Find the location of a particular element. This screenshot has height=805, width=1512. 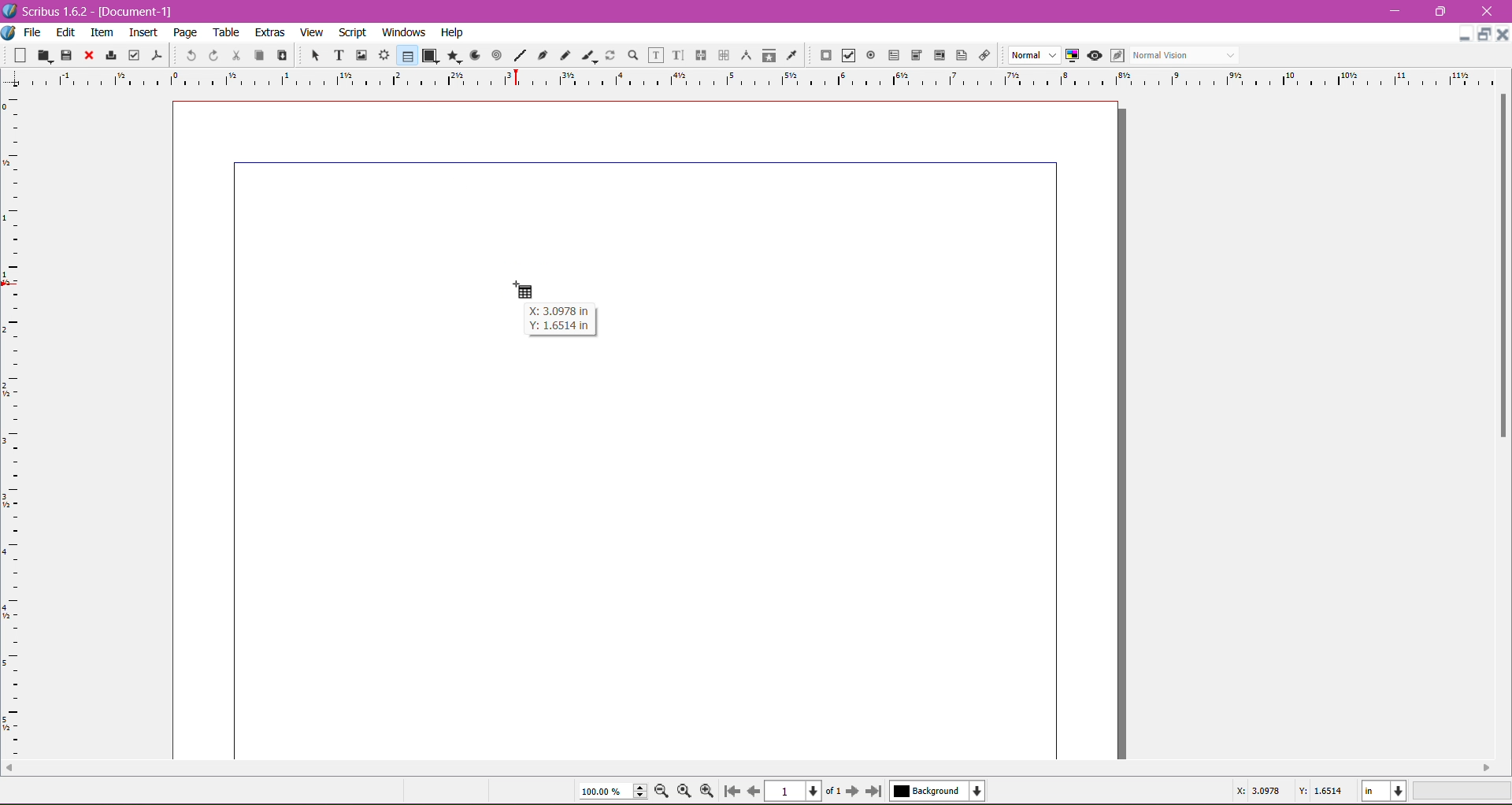

Save is located at coordinates (67, 54).